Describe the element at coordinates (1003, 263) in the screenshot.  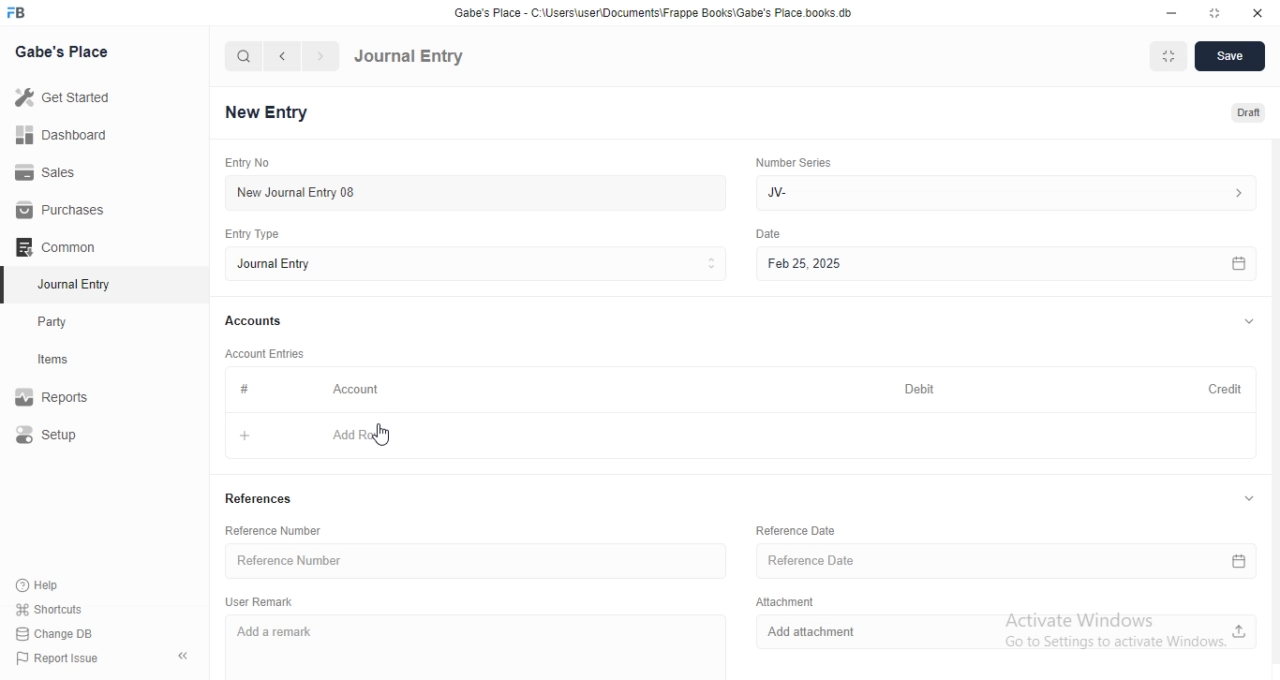
I see `Feb 25, 2025` at that location.